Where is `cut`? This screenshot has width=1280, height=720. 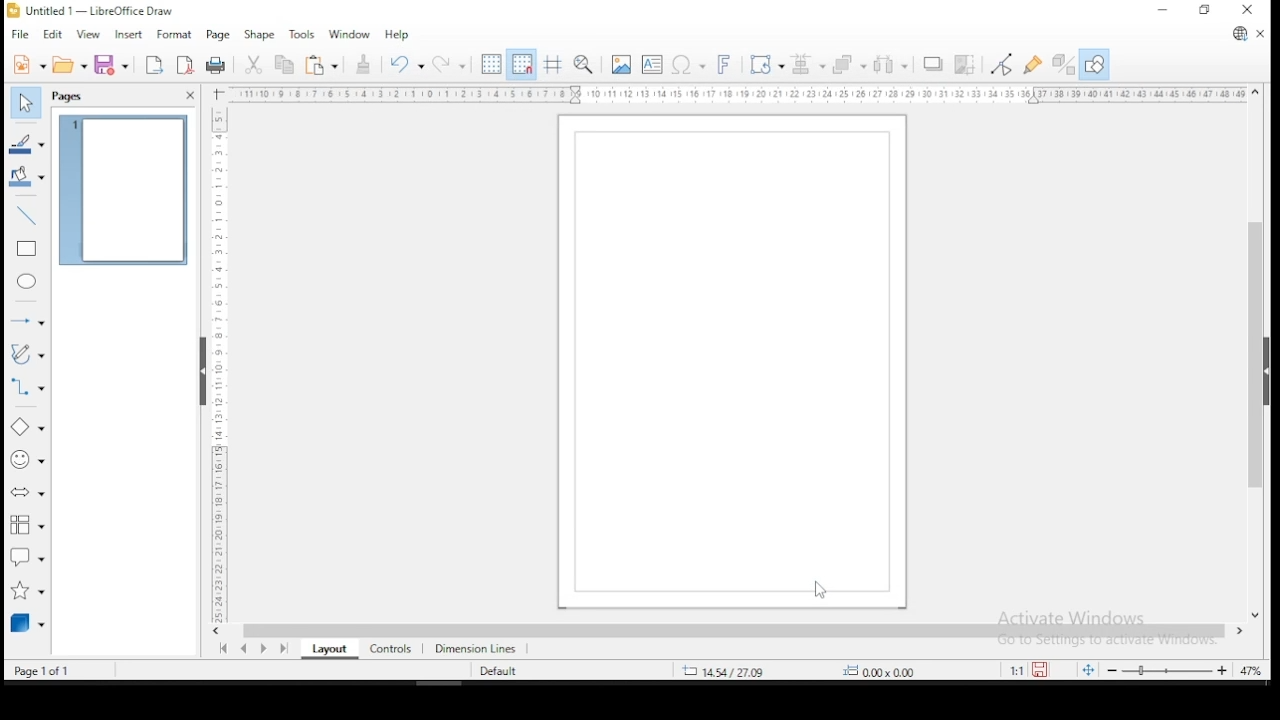
cut is located at coordinates (252, 66).